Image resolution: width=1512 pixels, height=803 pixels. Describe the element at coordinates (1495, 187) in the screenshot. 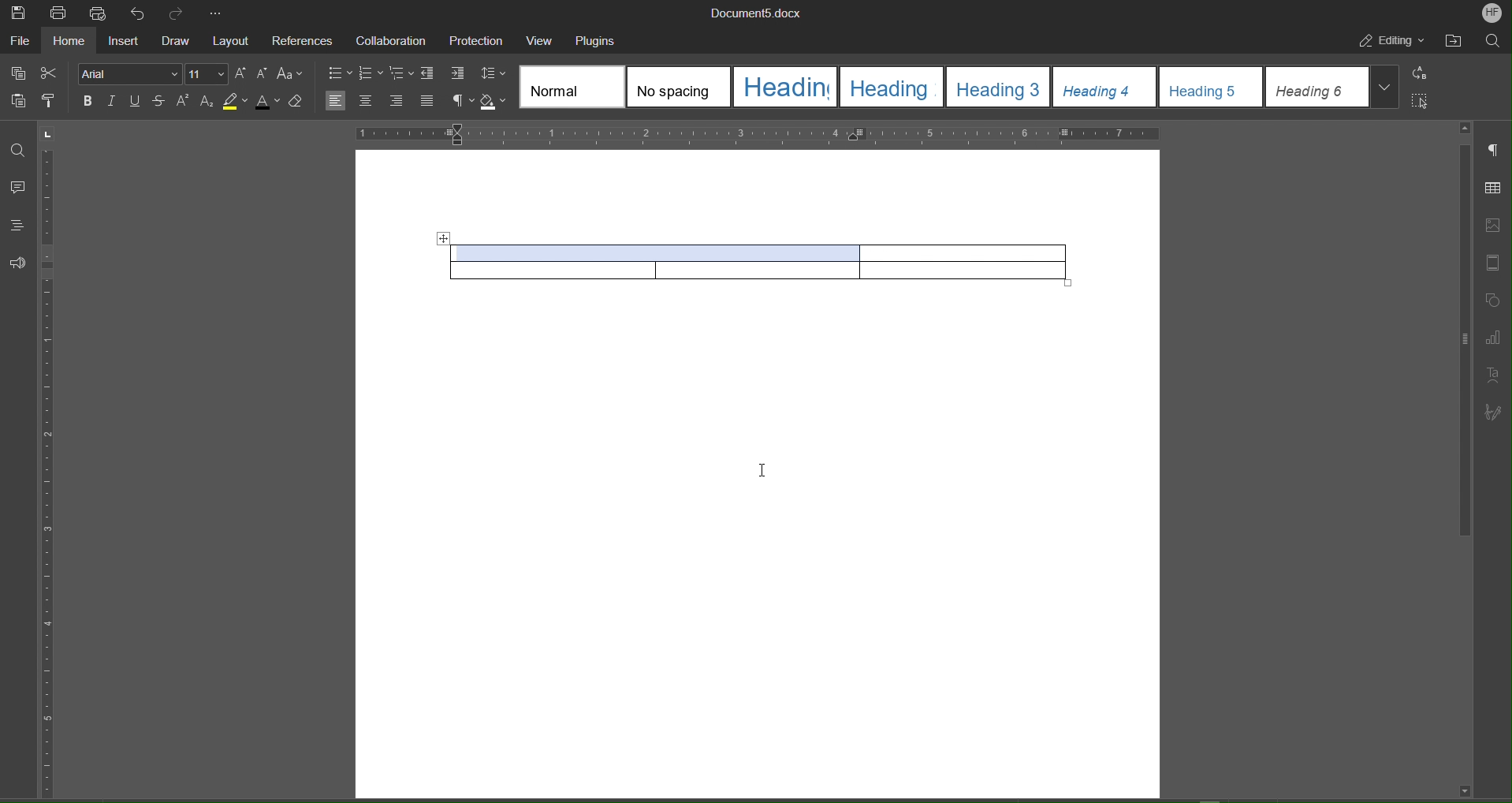

I see `Table Settings` at that location.